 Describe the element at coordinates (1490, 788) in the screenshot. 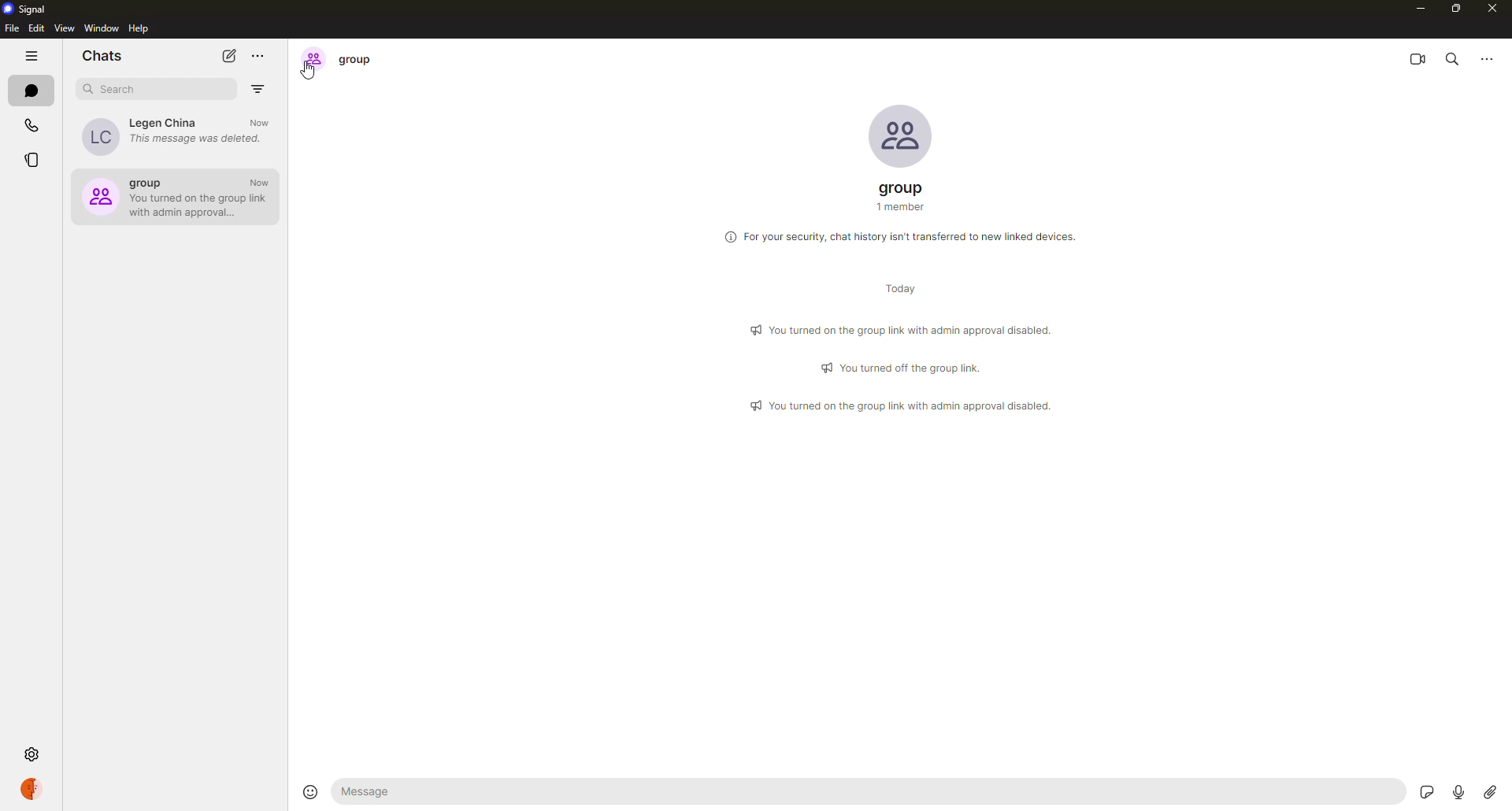

I see `attach` at that location.